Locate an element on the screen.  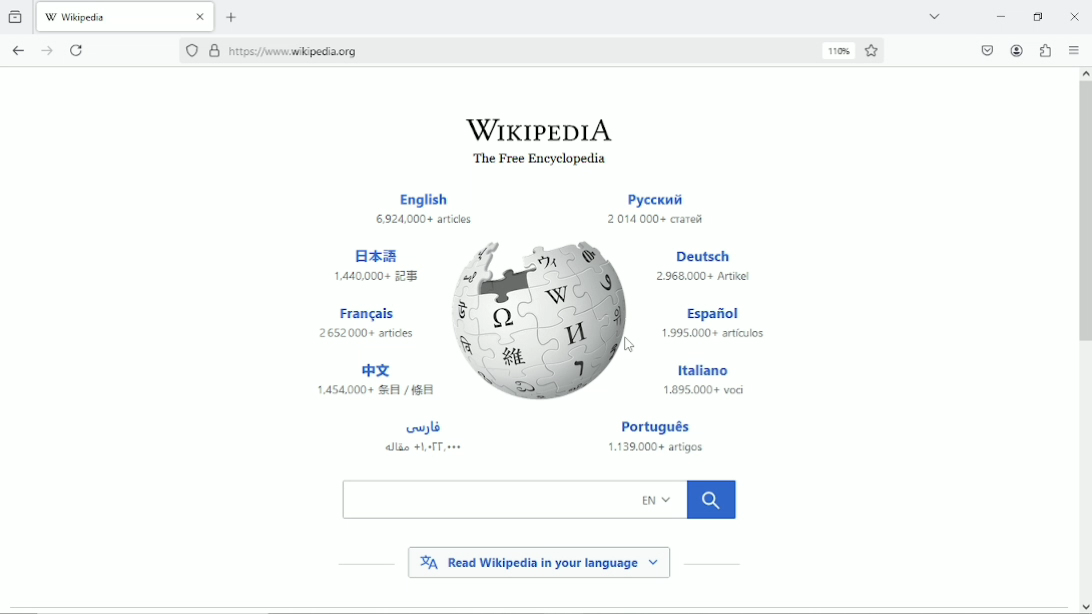
English
6.924.000 articles is located at coordinates (427, 210).